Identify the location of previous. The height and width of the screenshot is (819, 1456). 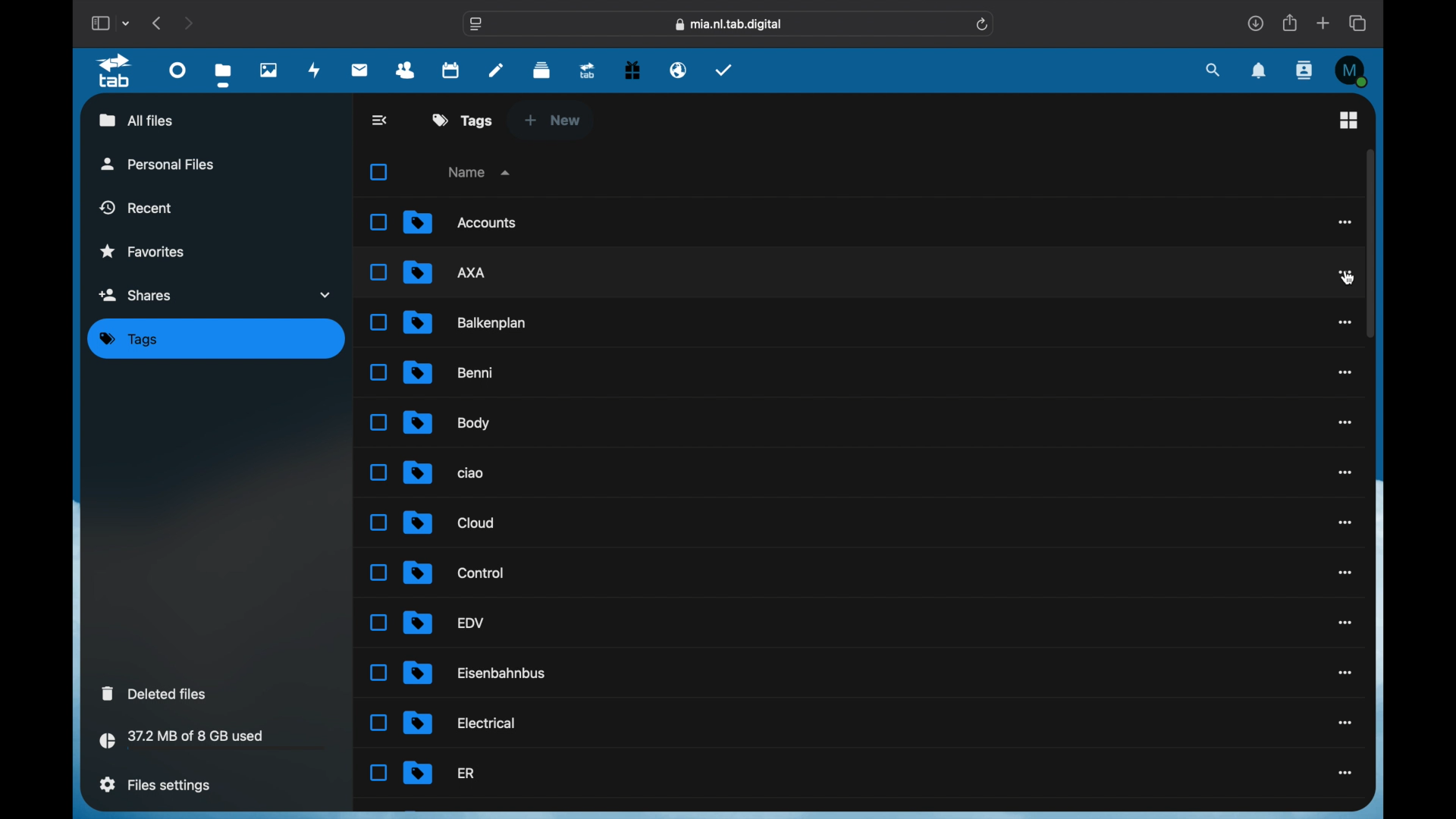
(158, 22).